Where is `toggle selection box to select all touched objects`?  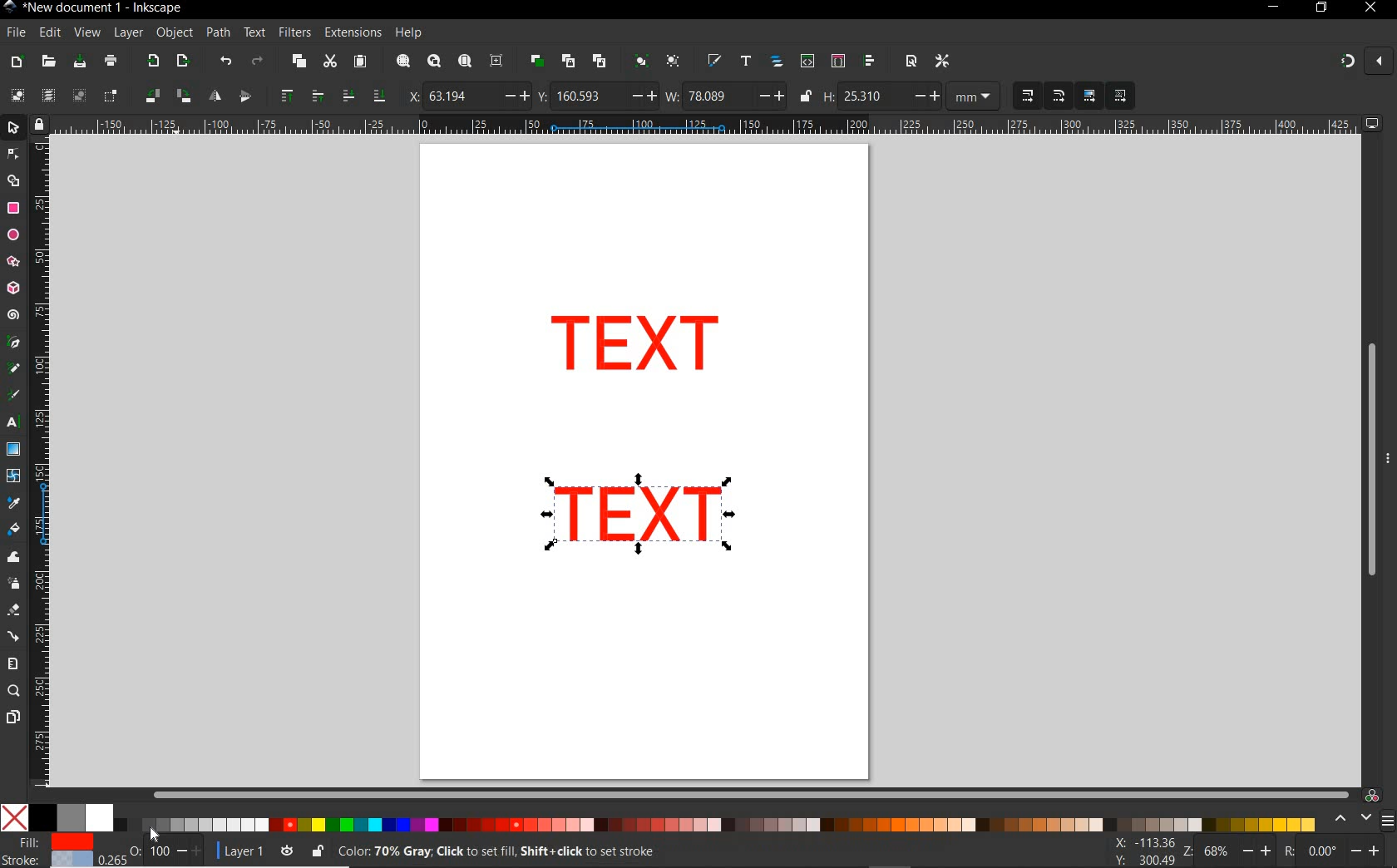 toggle selection box to select all touched objects is located at coordinates (111, 96).